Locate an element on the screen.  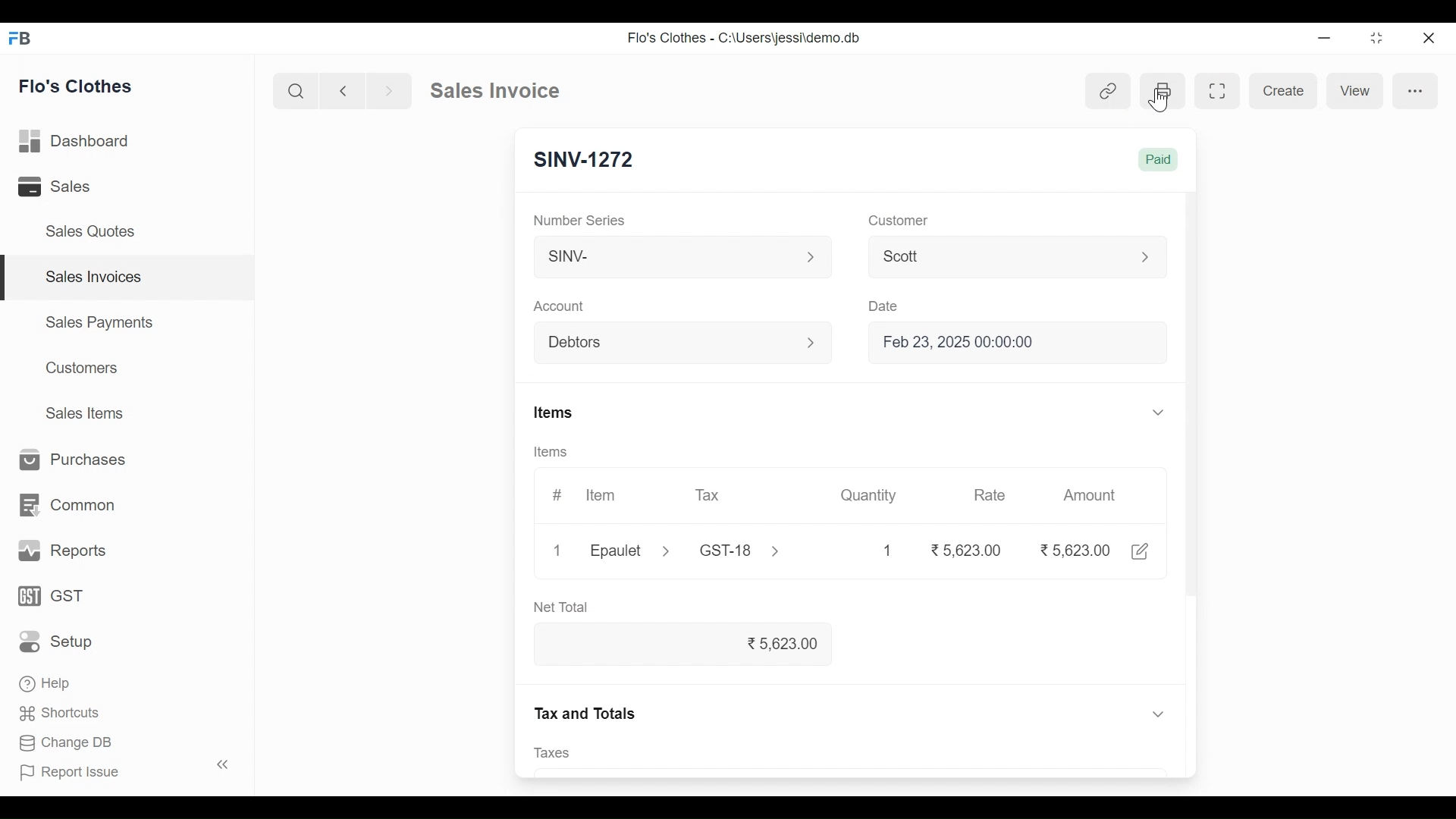
1 is located at coordinates (556, 551).